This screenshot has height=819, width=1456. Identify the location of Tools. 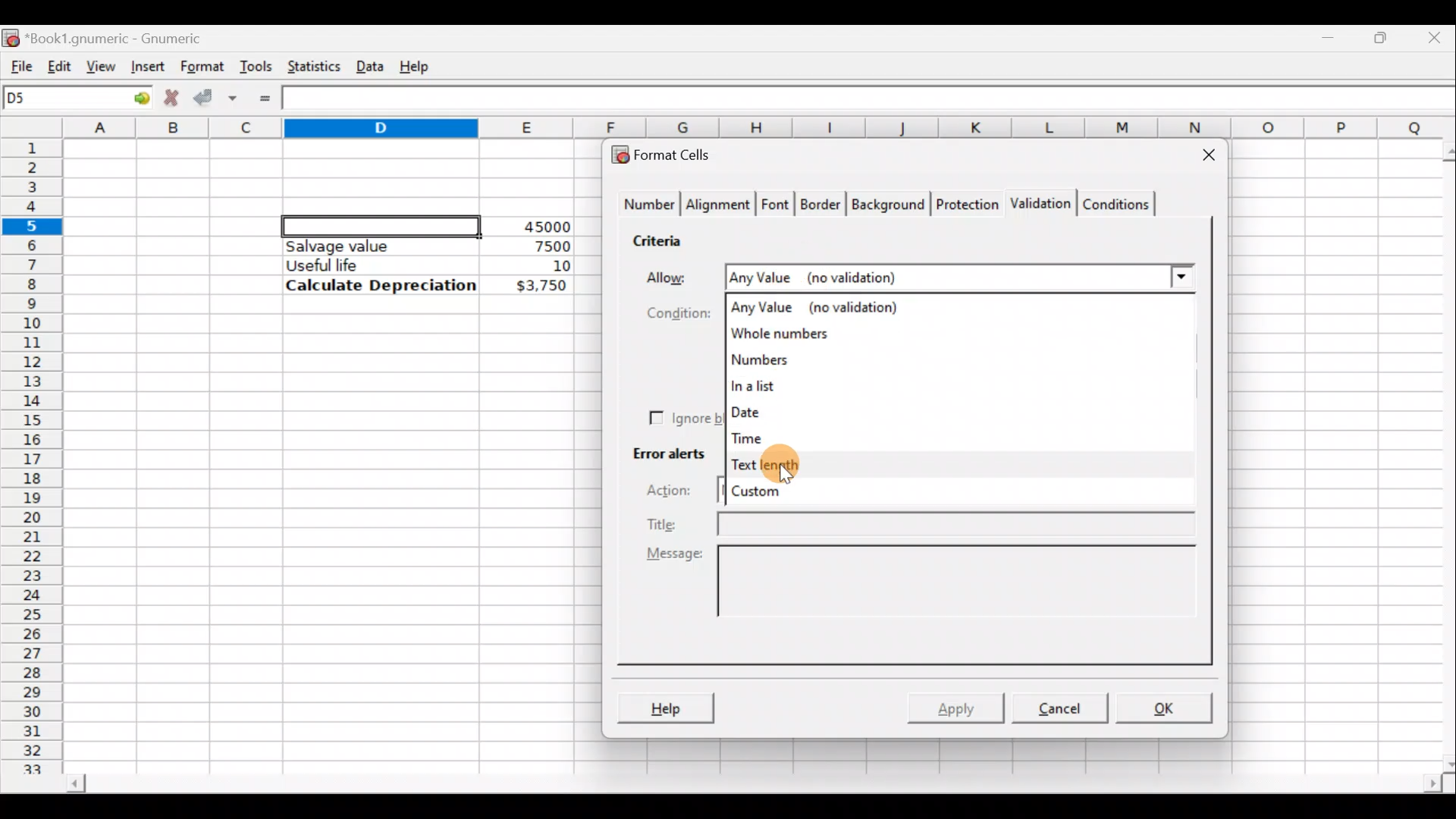
(256, 65).